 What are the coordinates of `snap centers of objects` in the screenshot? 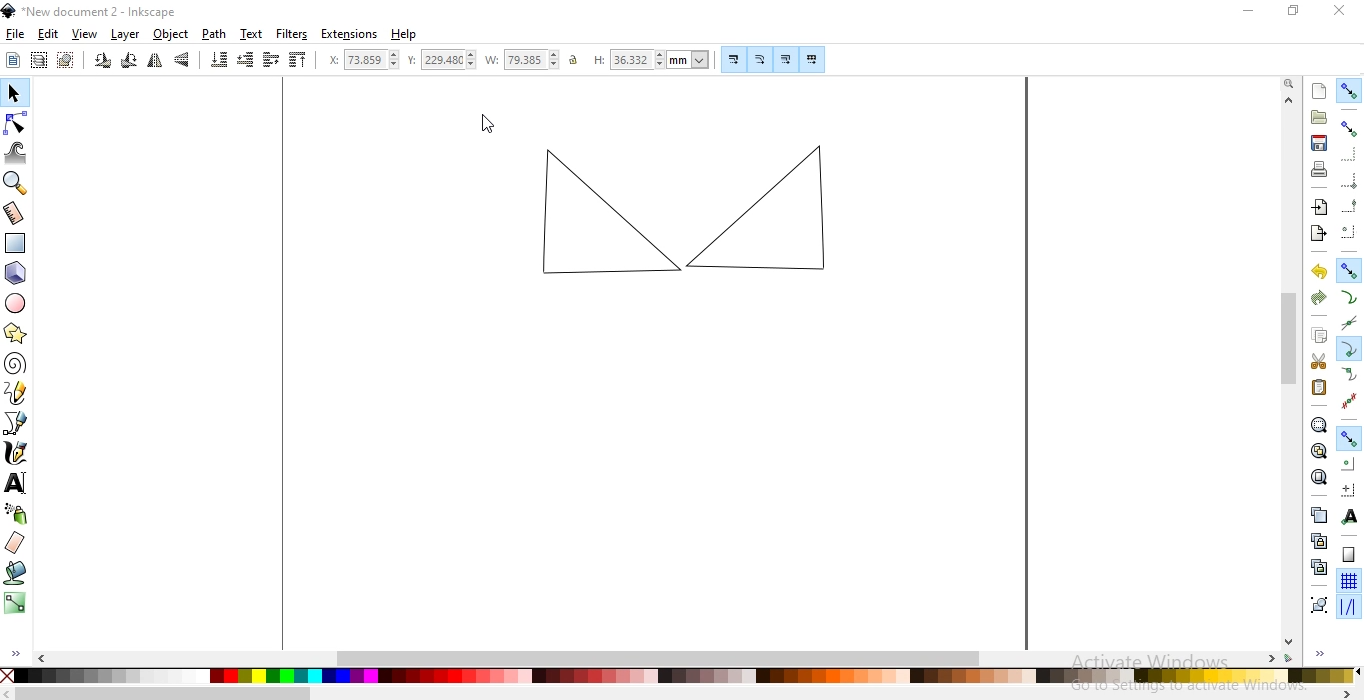 It's located at (1348, 464).